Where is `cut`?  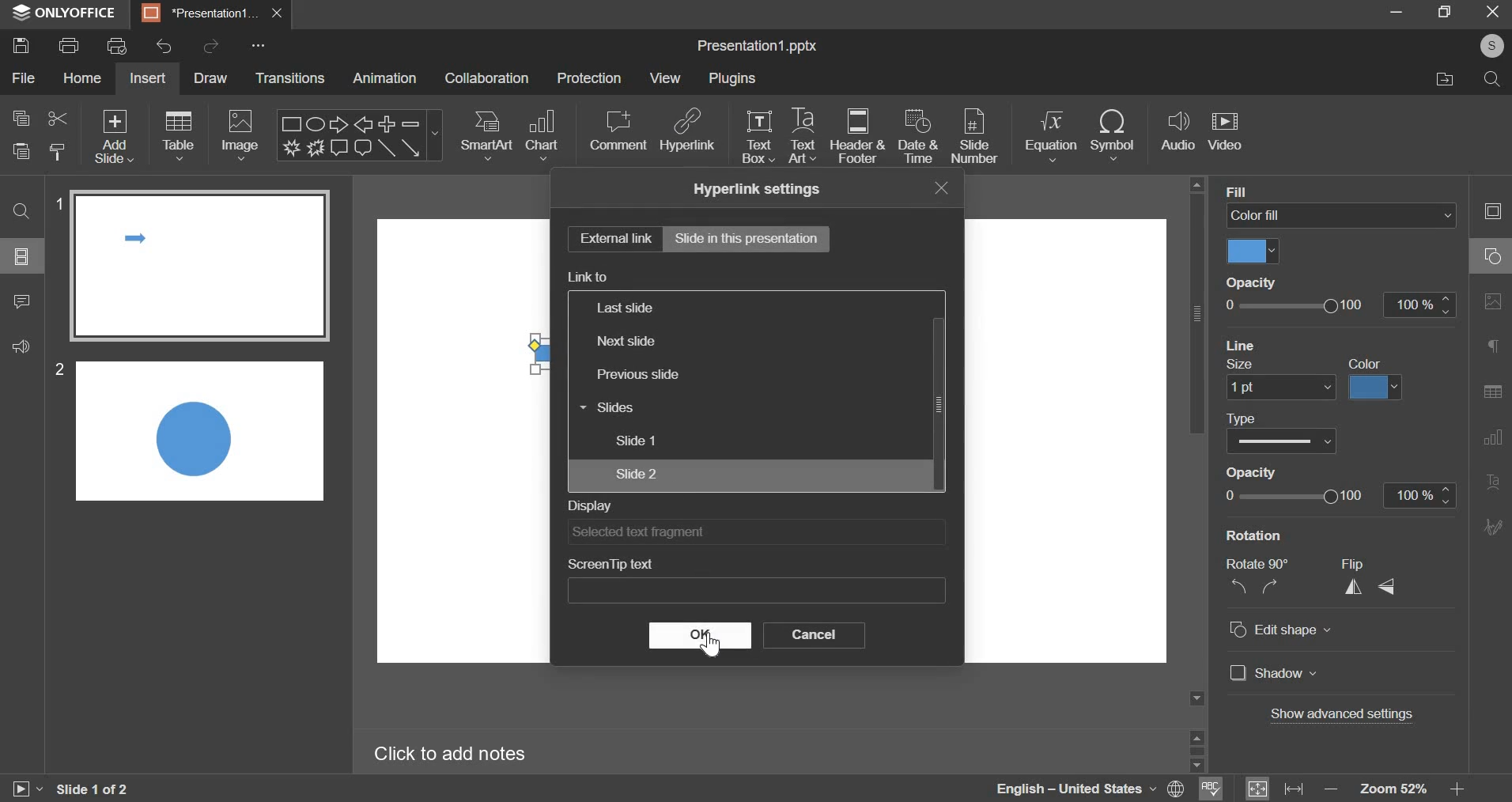
cut is located at coordinates (59, 118).